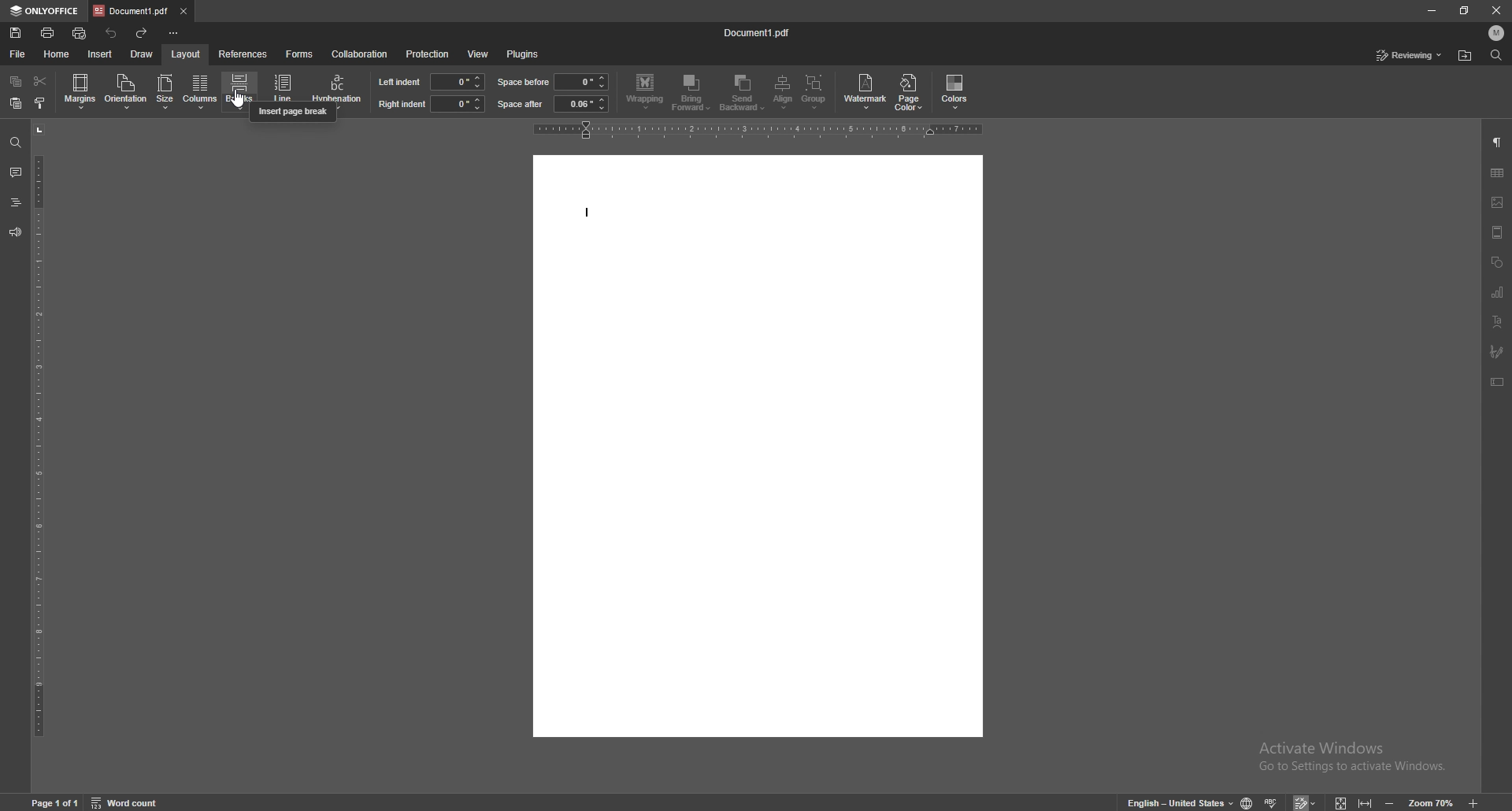 The width and height of the screenshot is (1512, 811). What do you see at coordinates (16, 144) in the screenshot?
I see `find` at bounding box center [16, 144].